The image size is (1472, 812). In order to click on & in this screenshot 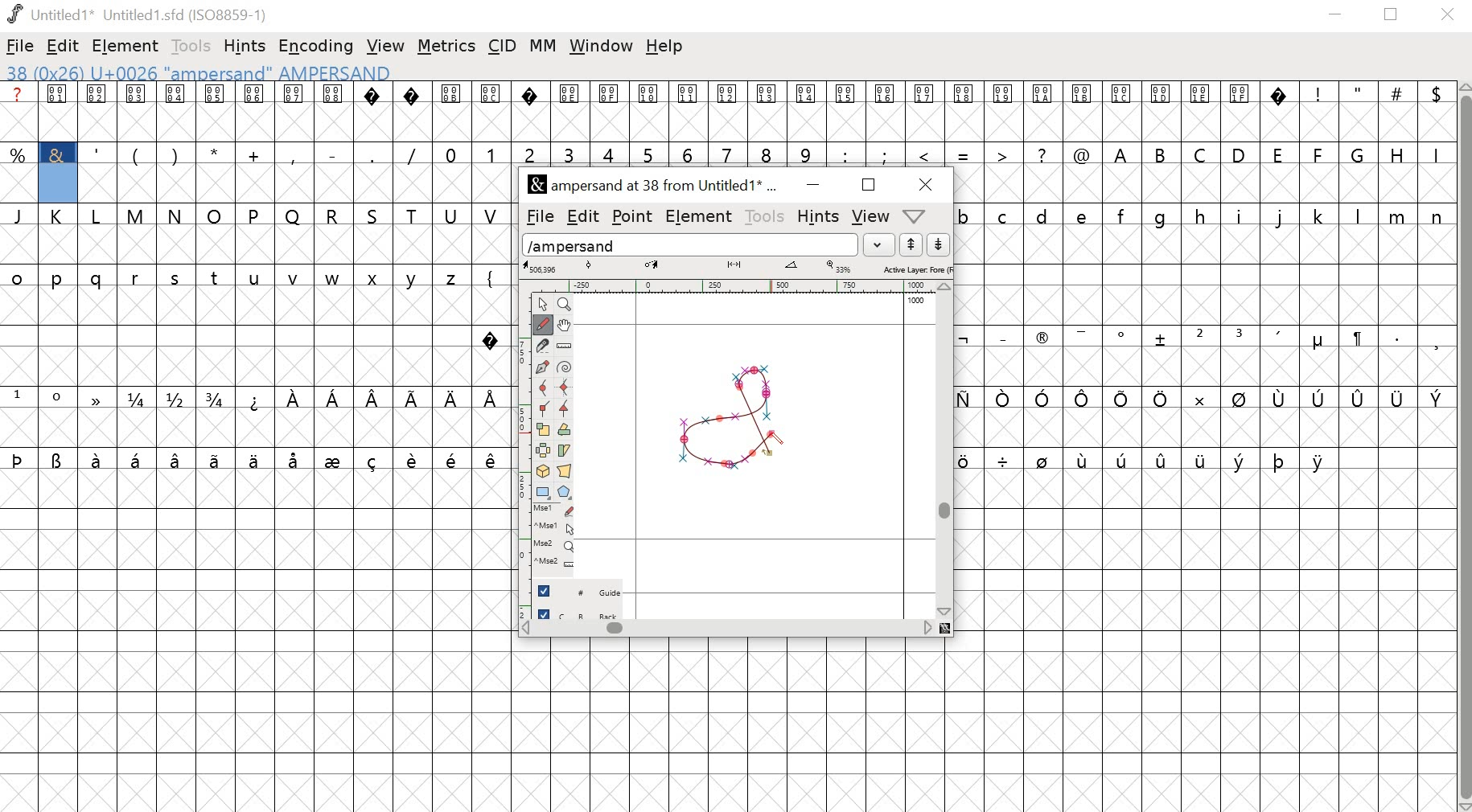, I will do `click(57, 154)`.